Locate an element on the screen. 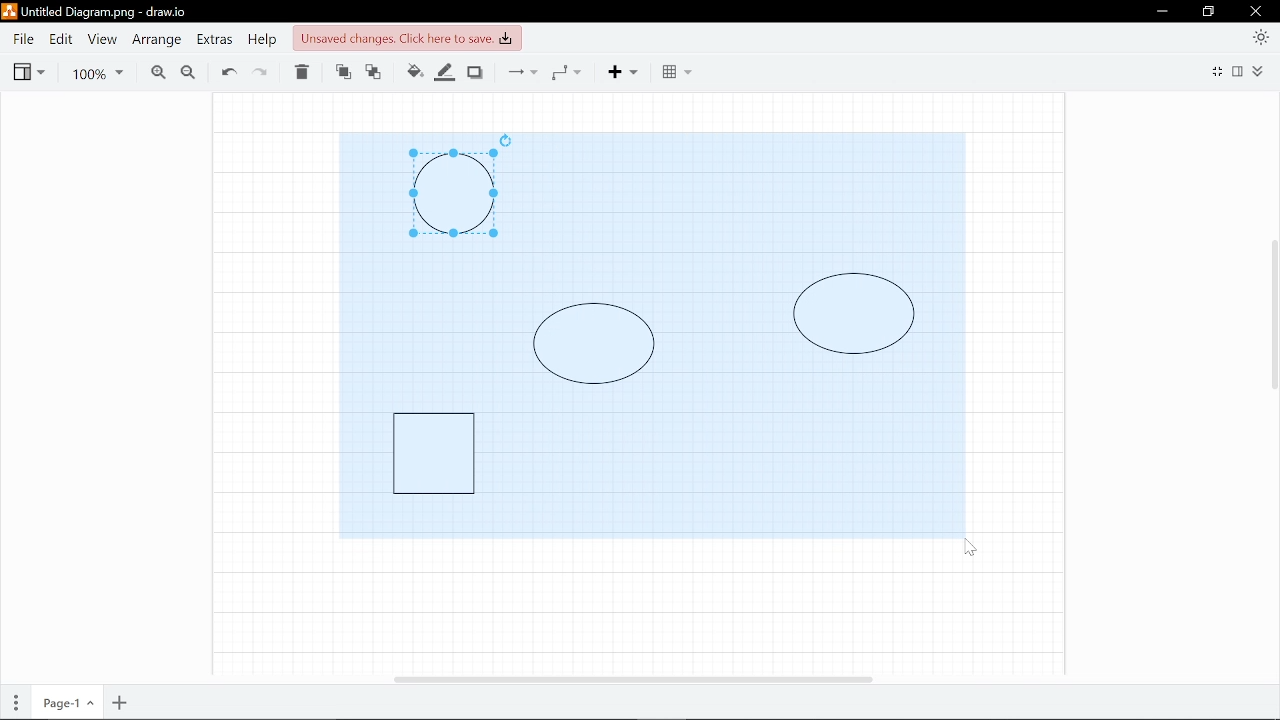 The height and width of the screenshot is (720, 1280). File is located at coordinates (23, 39).